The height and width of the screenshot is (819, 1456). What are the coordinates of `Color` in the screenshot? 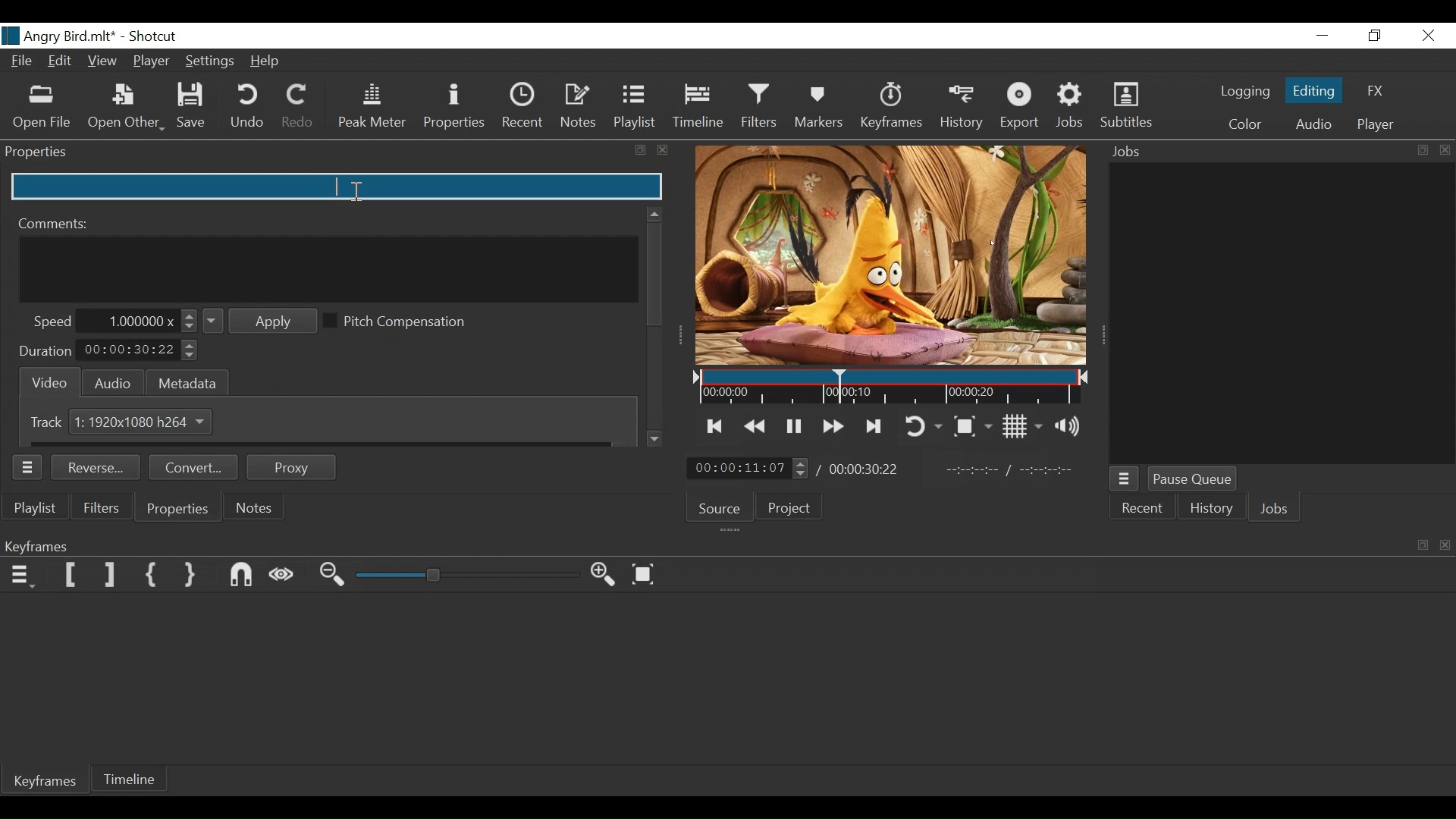 It's located at (1244, 124).